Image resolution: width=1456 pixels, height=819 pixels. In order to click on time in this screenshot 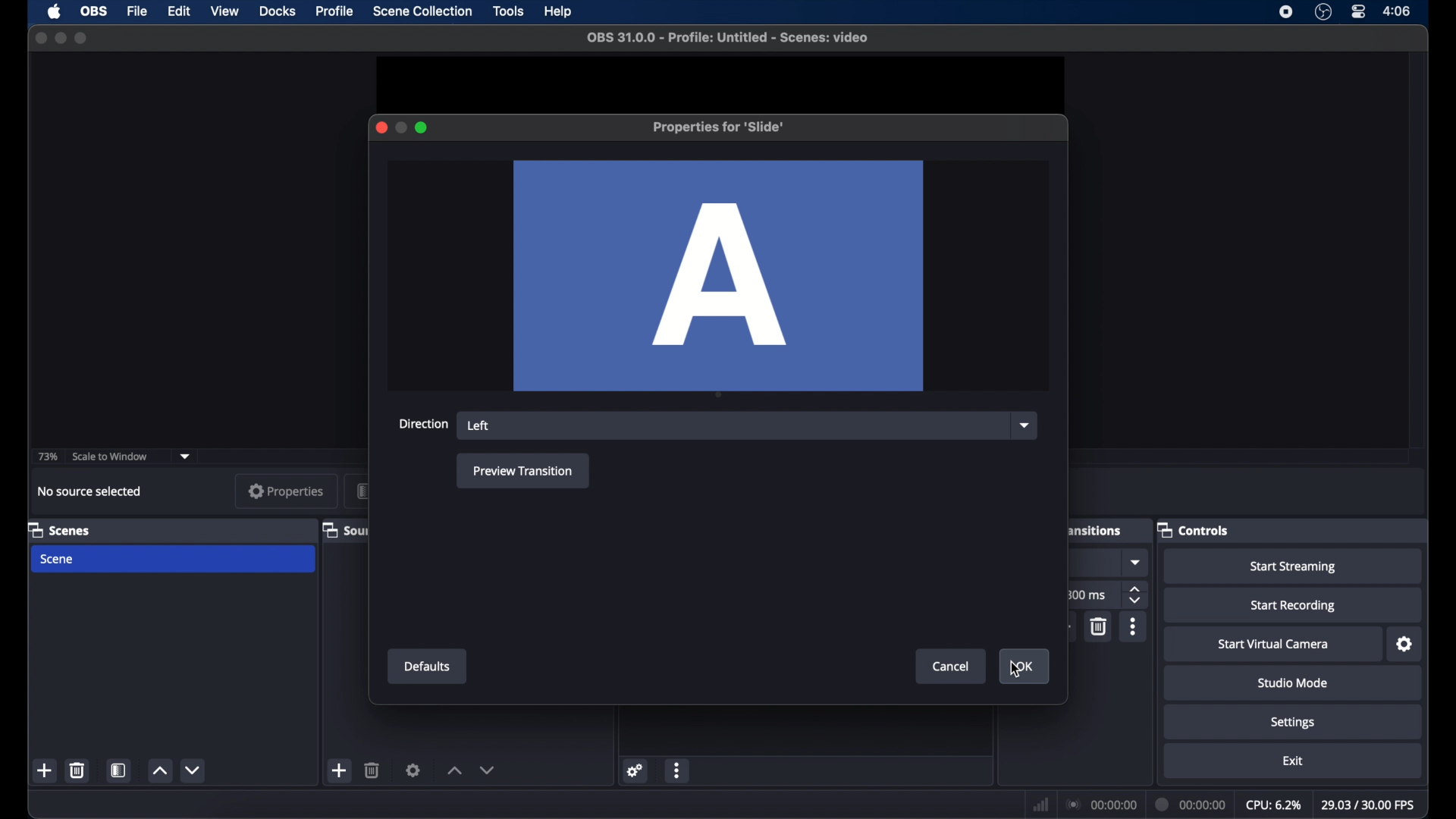, I will do `click(1398, 11)`.